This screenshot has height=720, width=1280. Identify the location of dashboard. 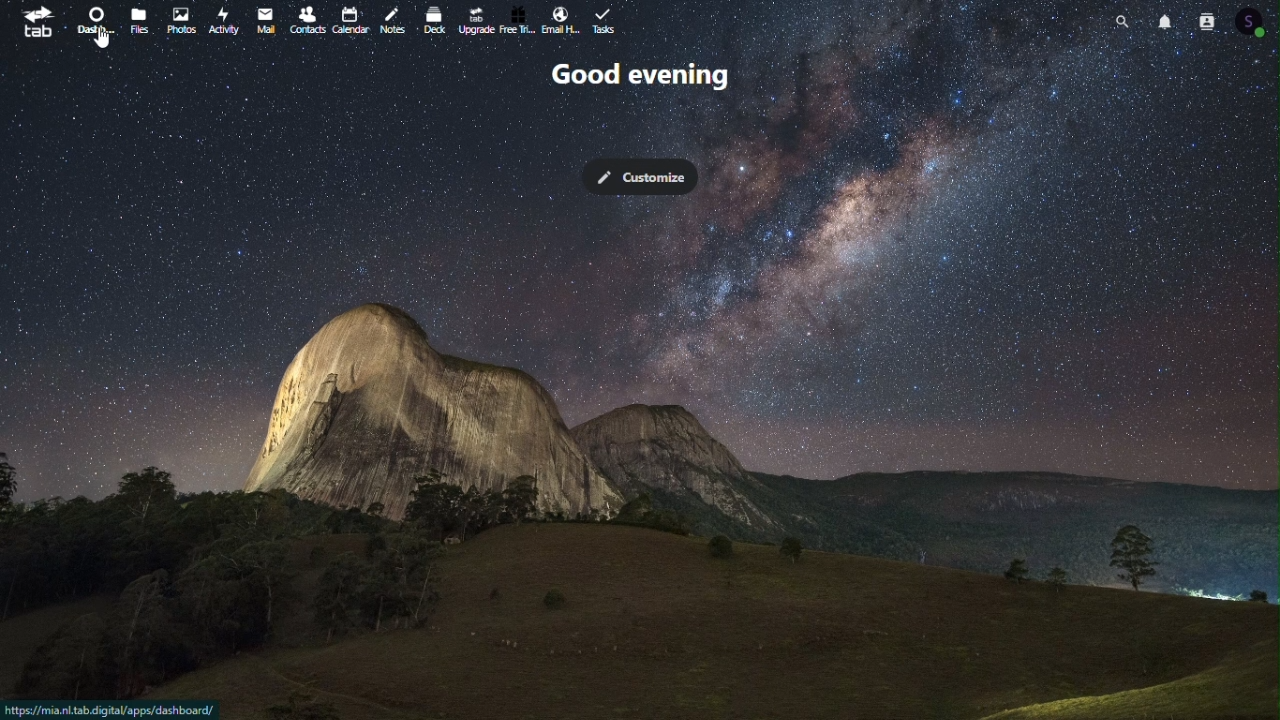
(98, 22).